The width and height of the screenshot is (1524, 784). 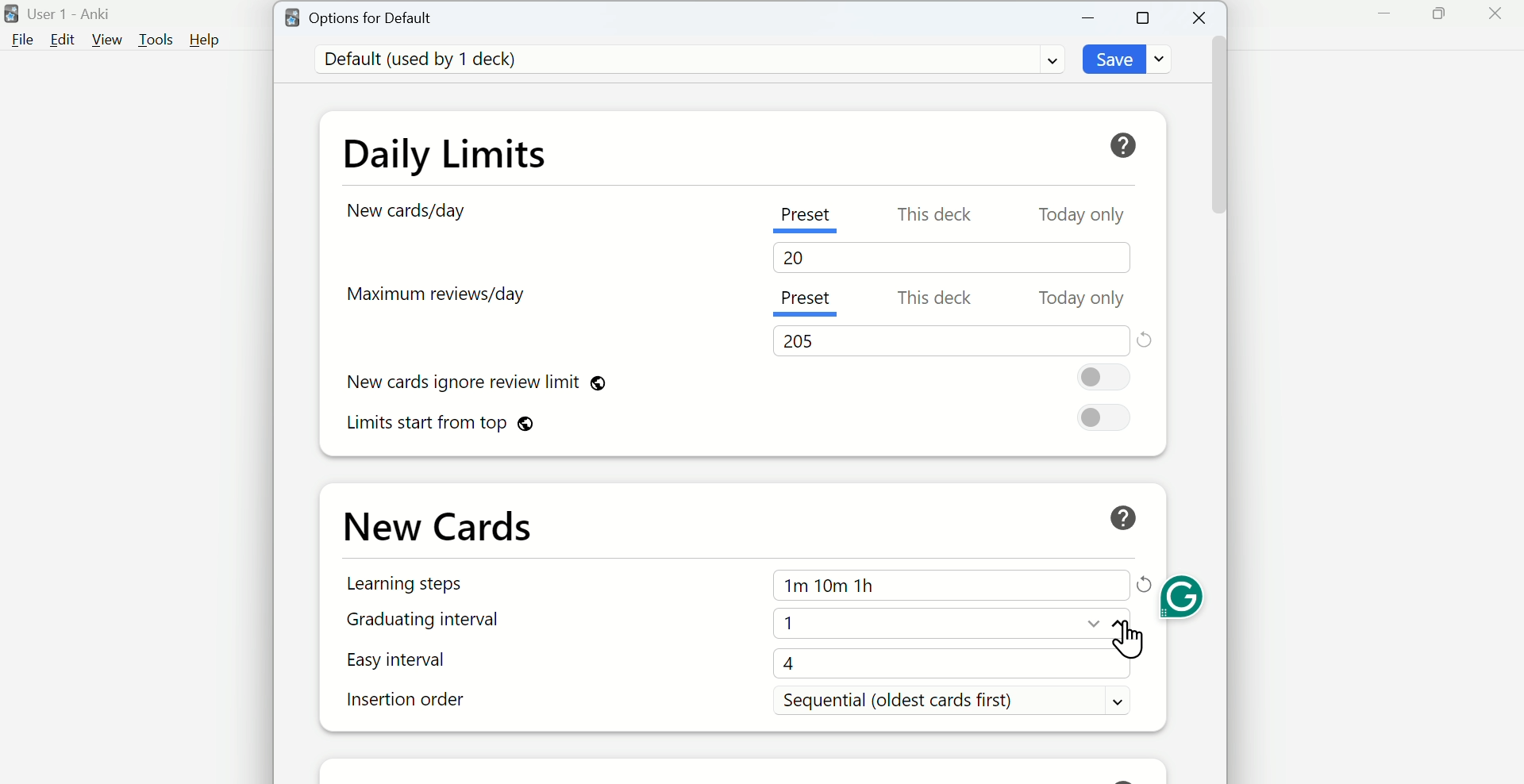 What do you see at coordinates (1498, 16) in the screenshot?
I see `Close` at bounding box center [1498, 16].